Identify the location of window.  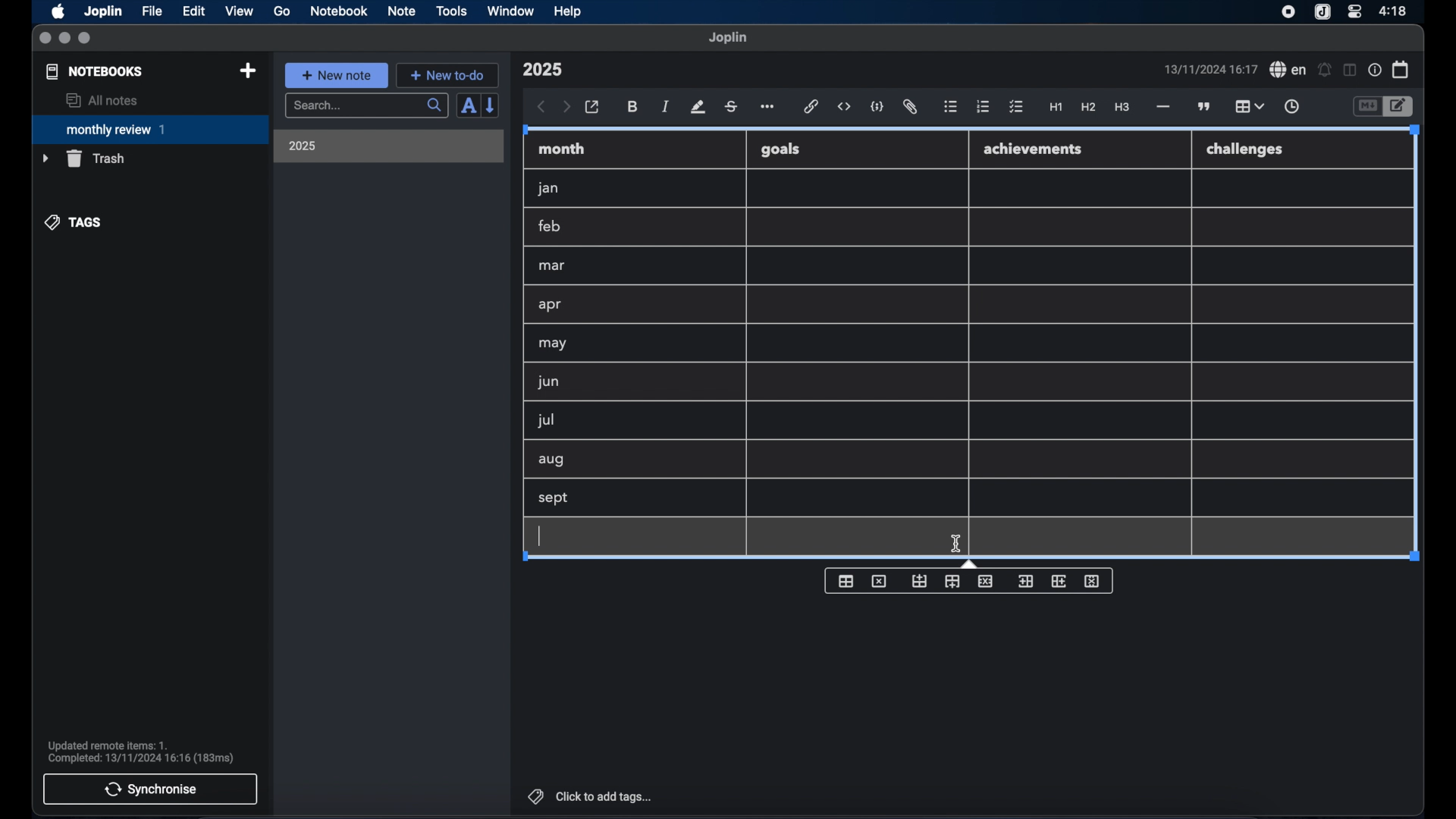
(511, 11).